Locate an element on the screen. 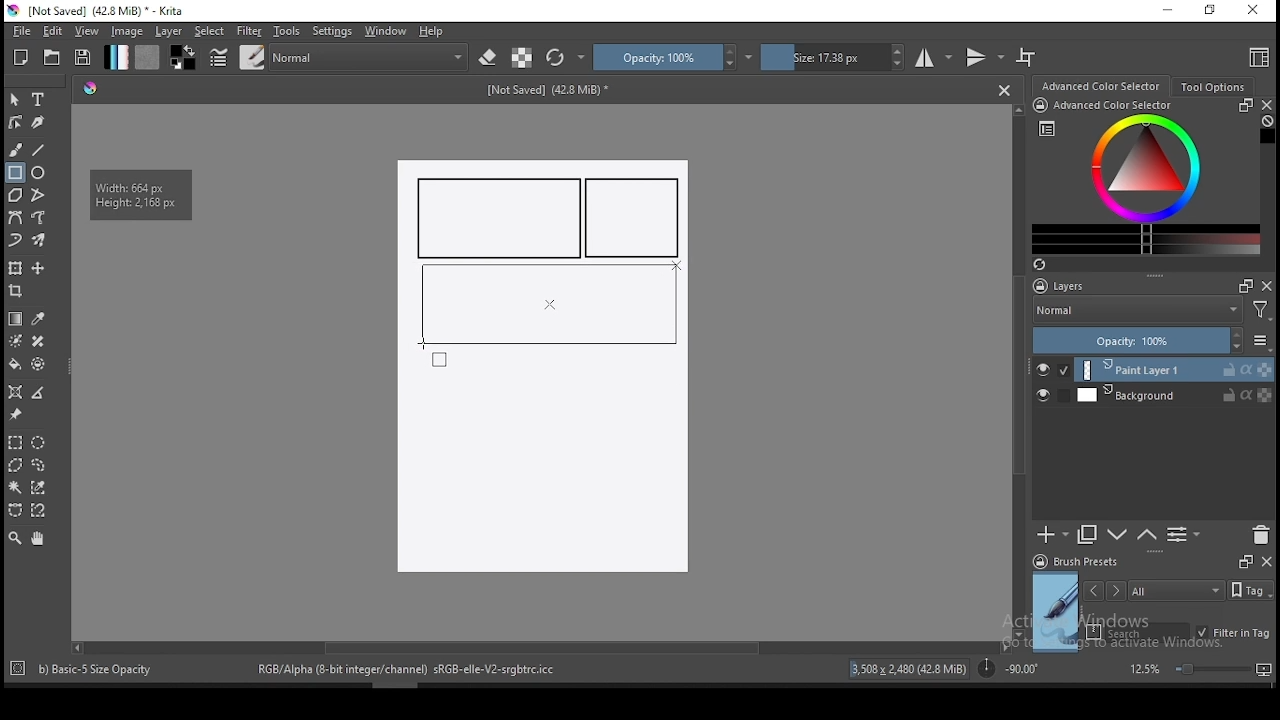 The width and height of the screenshot is (1280, 720). colorize mask tool is located at coordinates (17, 341).